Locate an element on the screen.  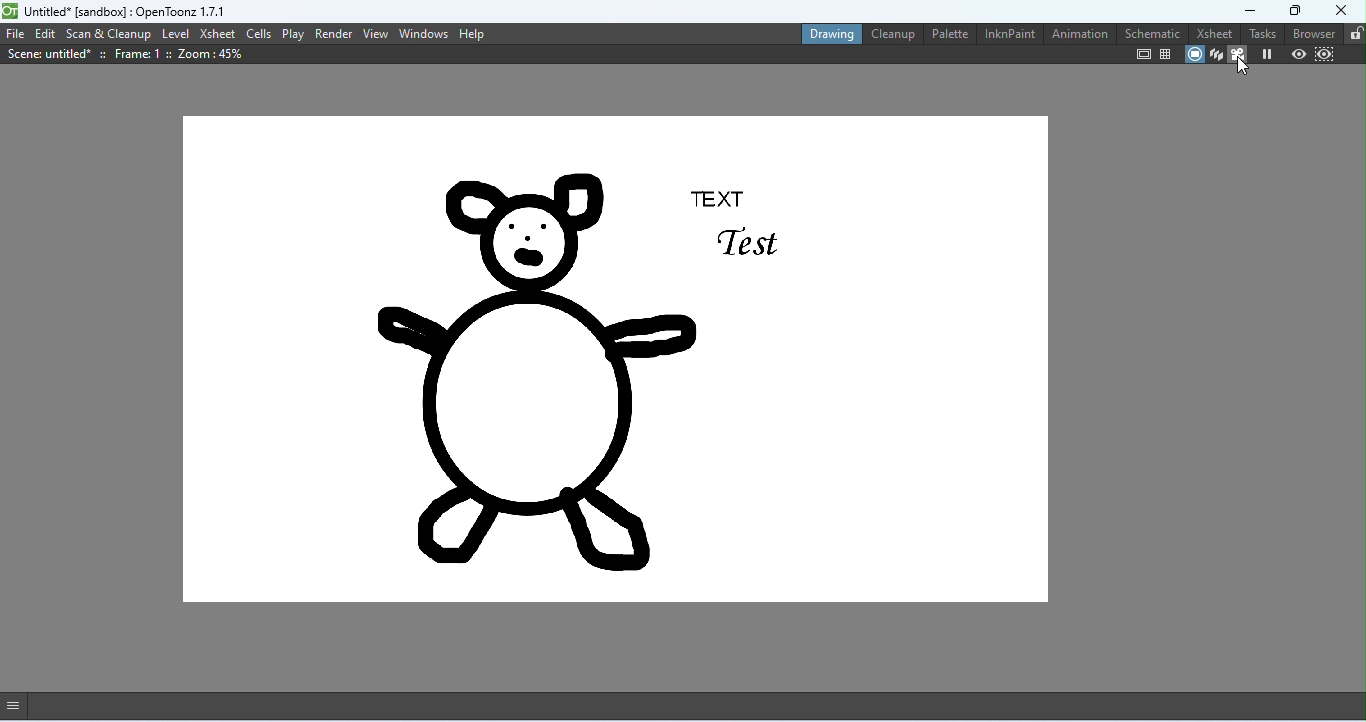
Animation is located at coordinates (1078, 36).